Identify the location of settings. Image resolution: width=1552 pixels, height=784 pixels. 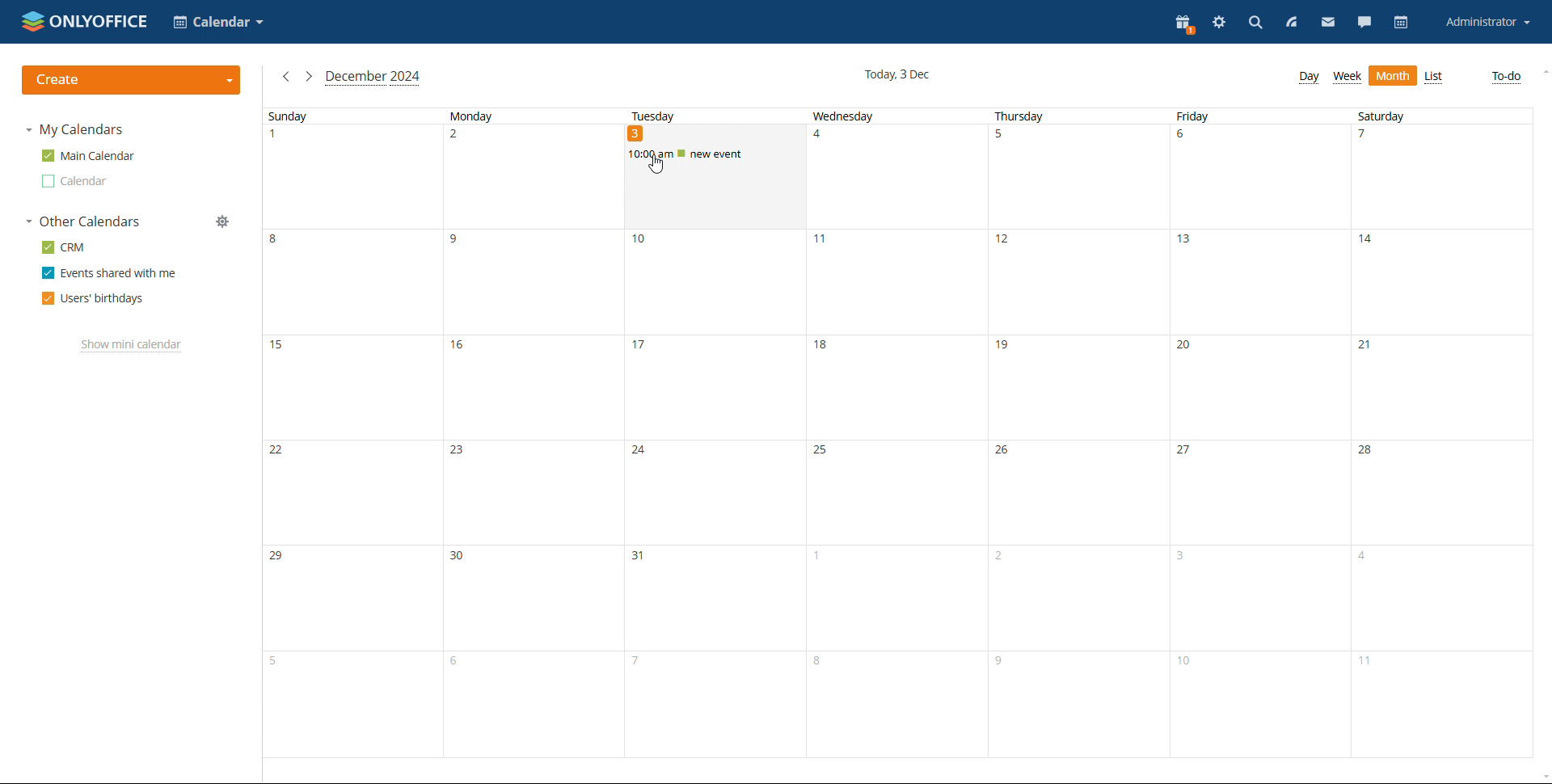
(1220, 22).